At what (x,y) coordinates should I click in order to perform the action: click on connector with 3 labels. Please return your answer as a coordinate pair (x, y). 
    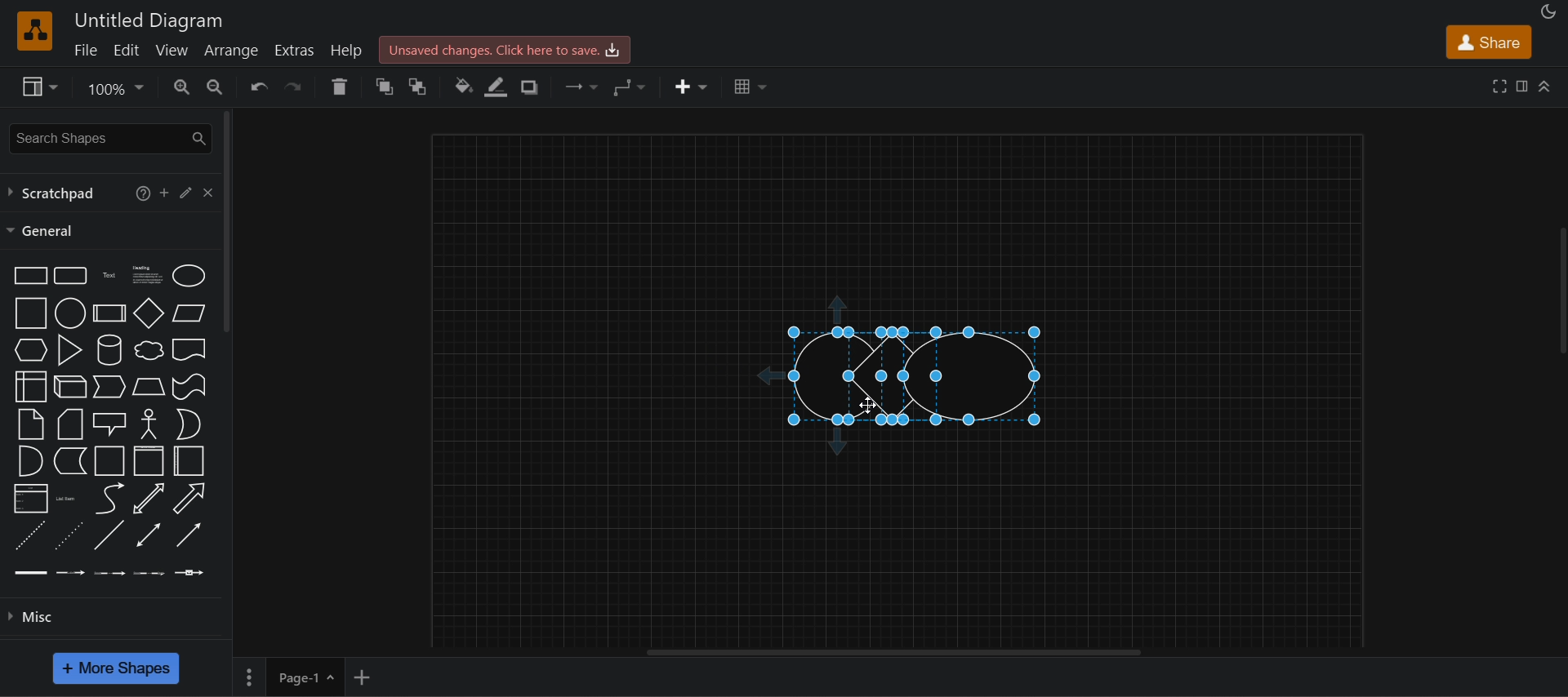
    Looking at the image, I should click on (149, 571).